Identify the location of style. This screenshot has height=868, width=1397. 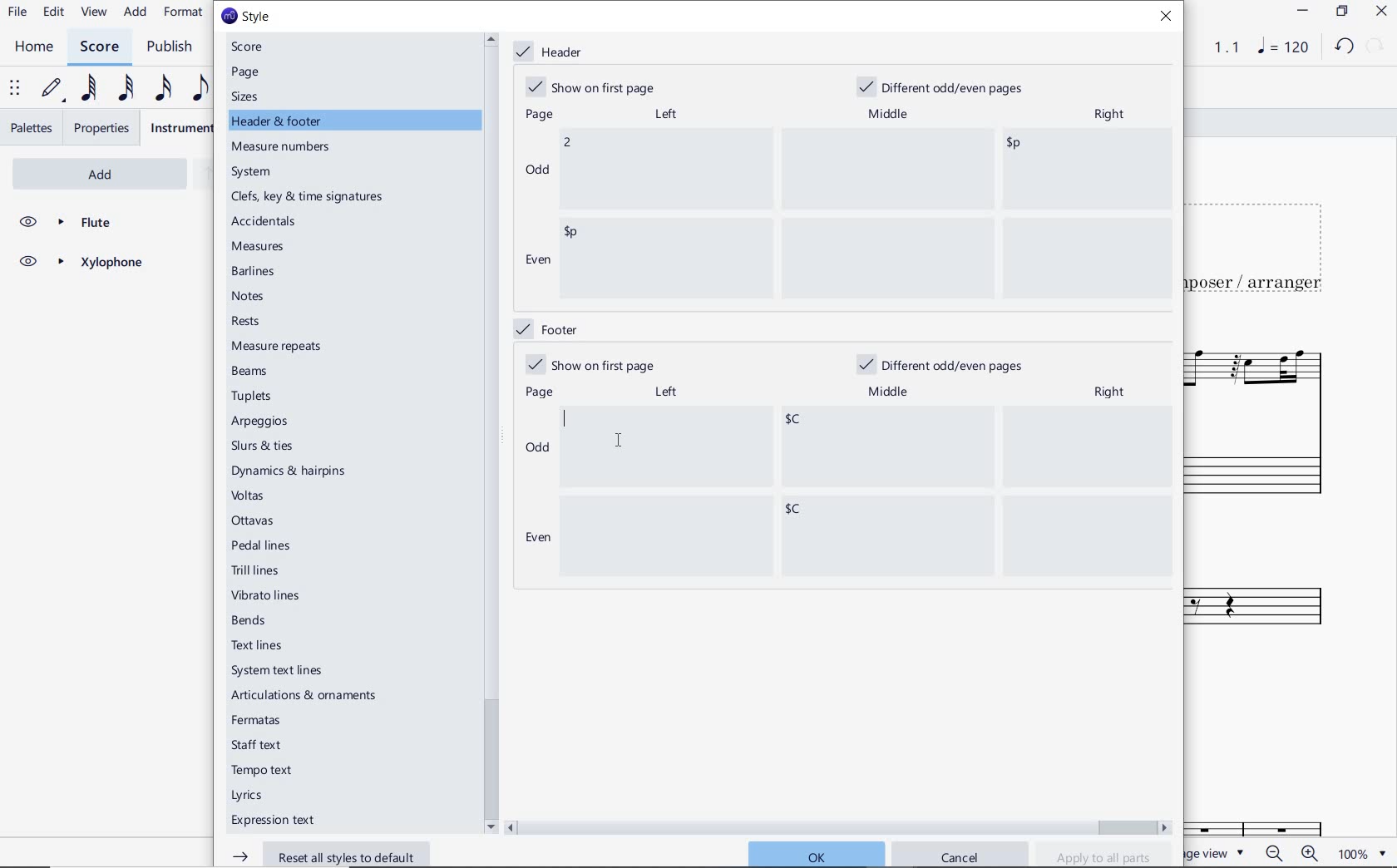
(245, 17).